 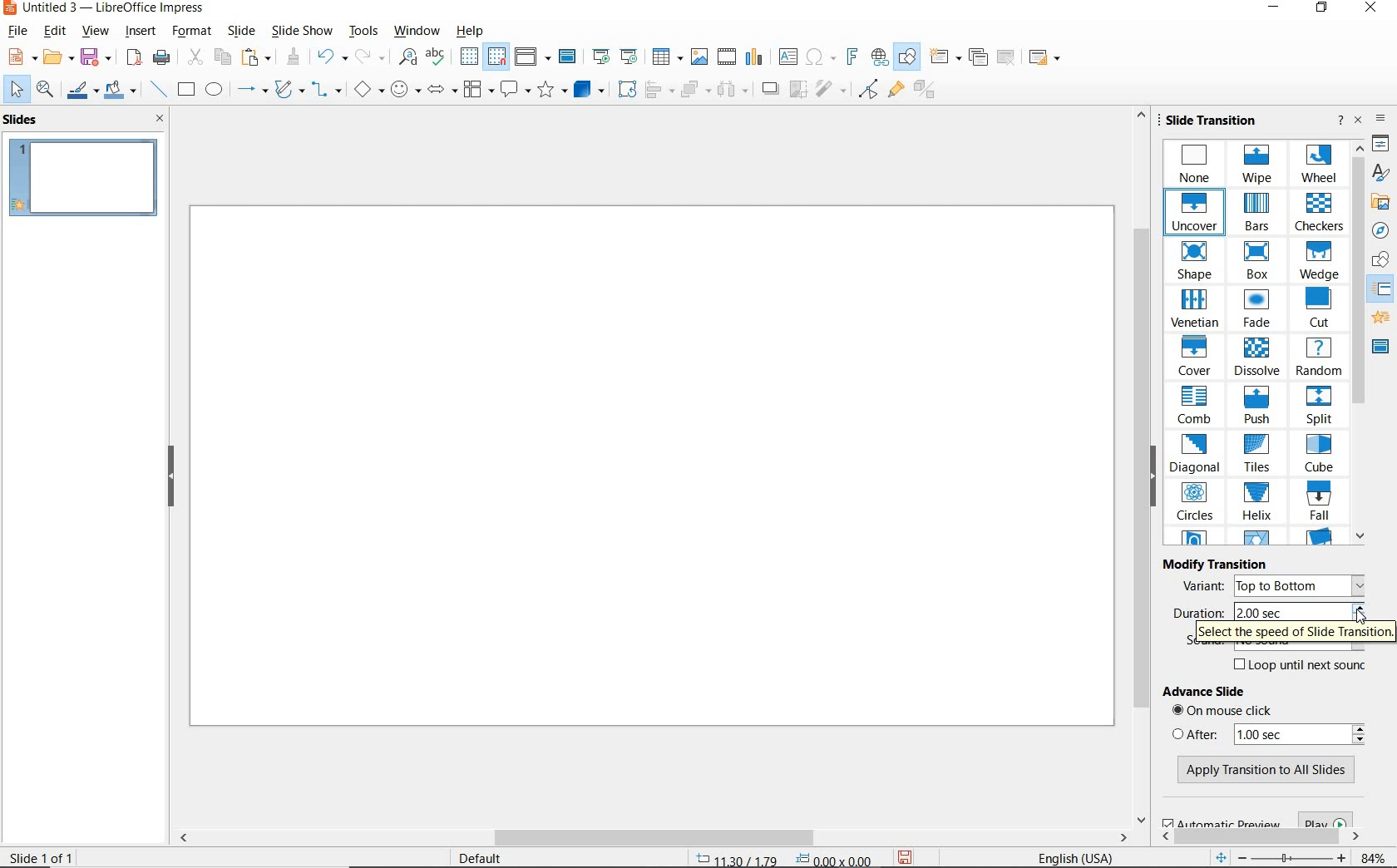 What do you see at coordinates (442, 89) in the screenshot?
I see `BLOCK ARROWS` at bounding box center [442, 89].